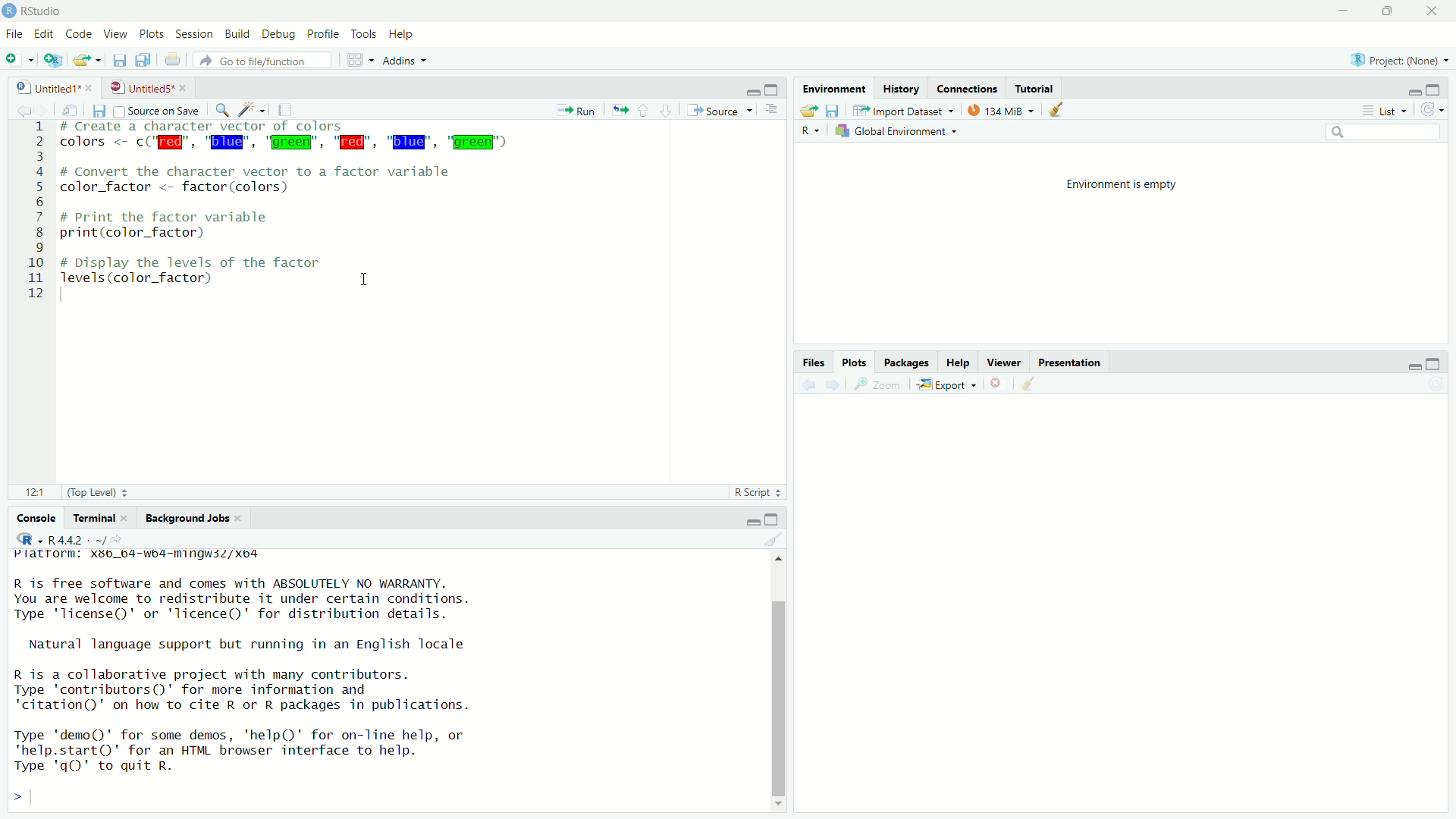 The width and height of the screenshot is (1456, 819). I want to click on Tutorial, so click(1034, 89).